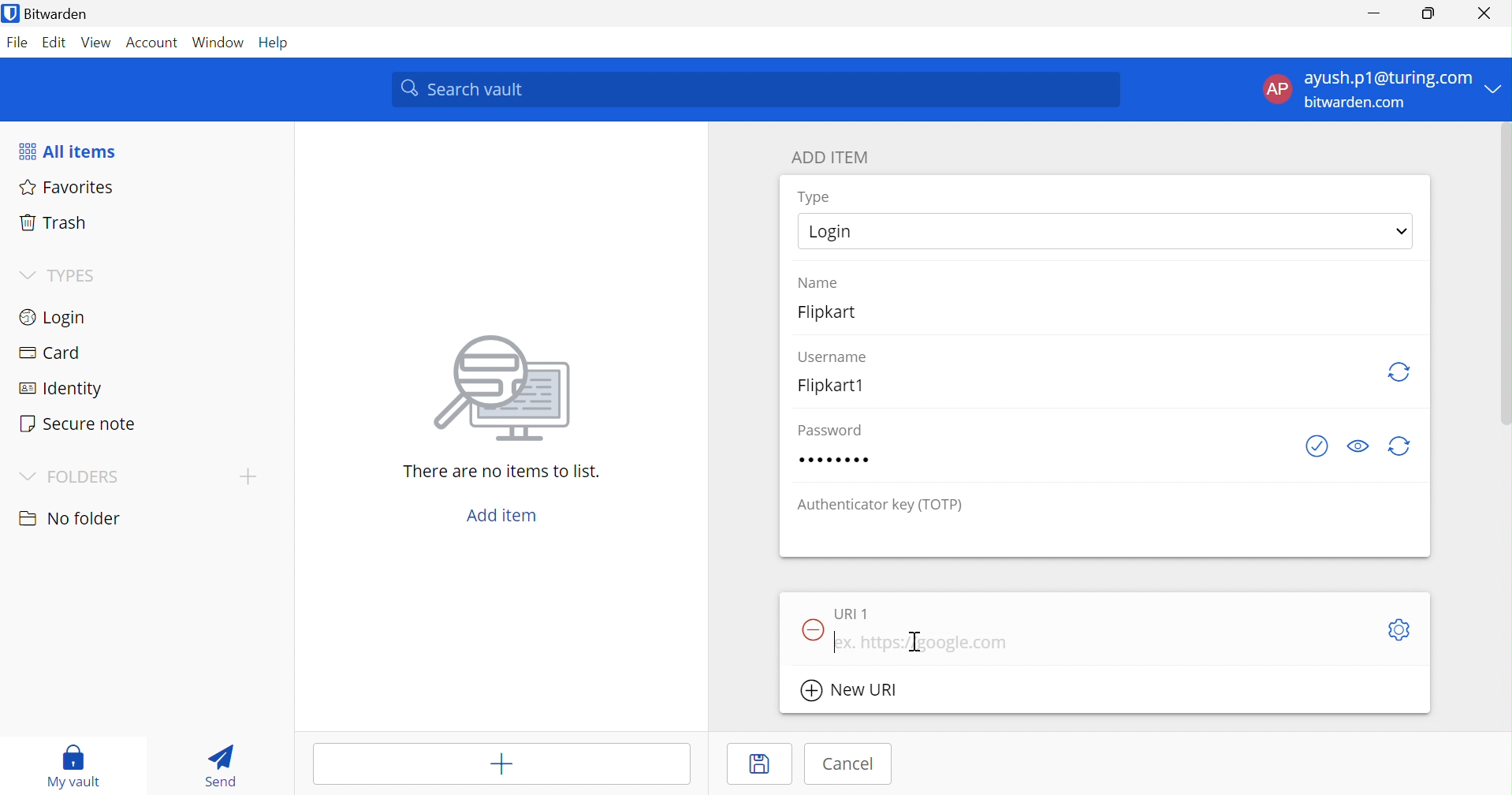 This screenshot has height=795, width=1512. I want to click on Type, so click(814, 197).